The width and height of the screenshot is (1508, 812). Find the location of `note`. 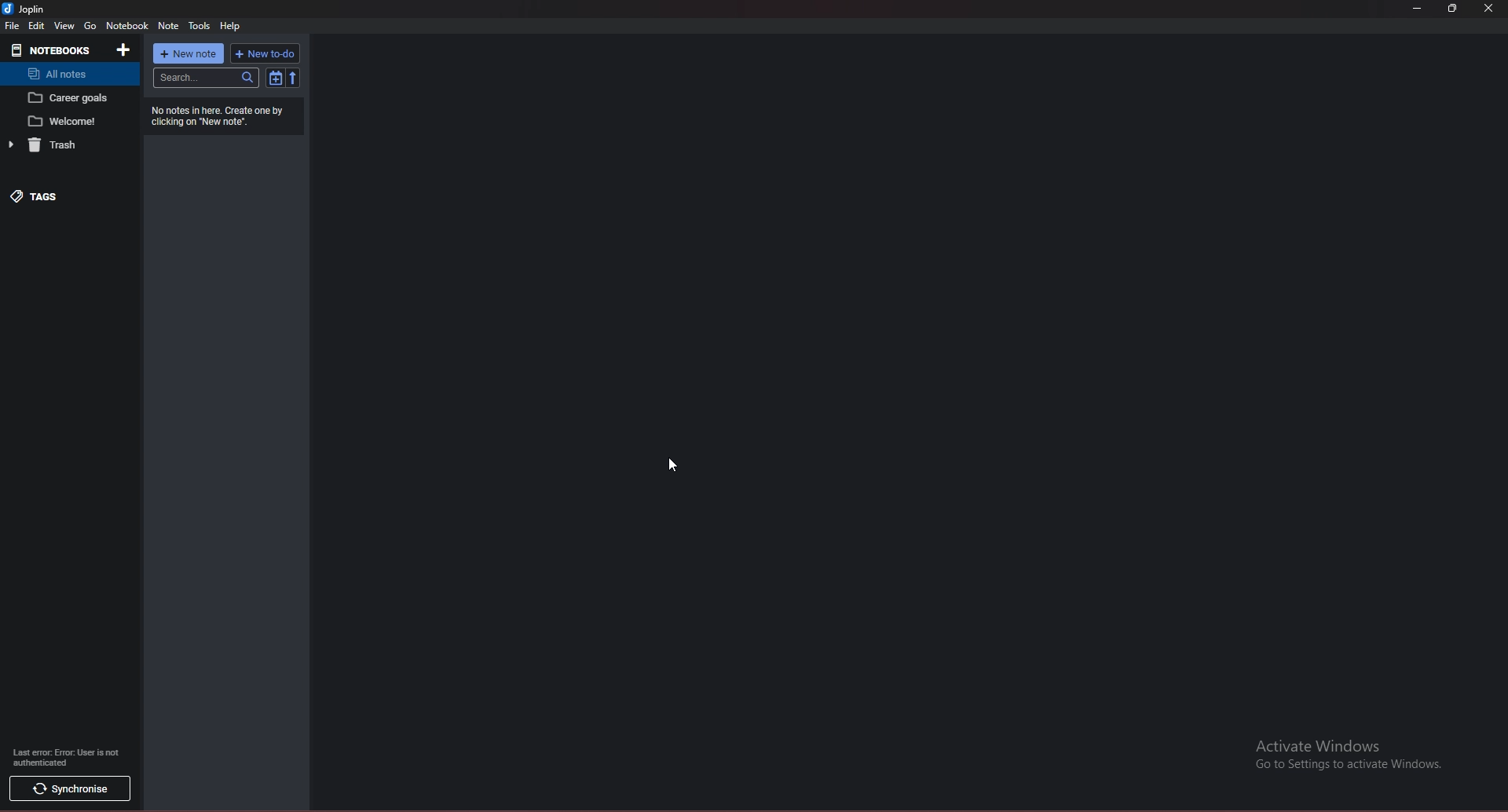

note is located at coordinates (69, 98).